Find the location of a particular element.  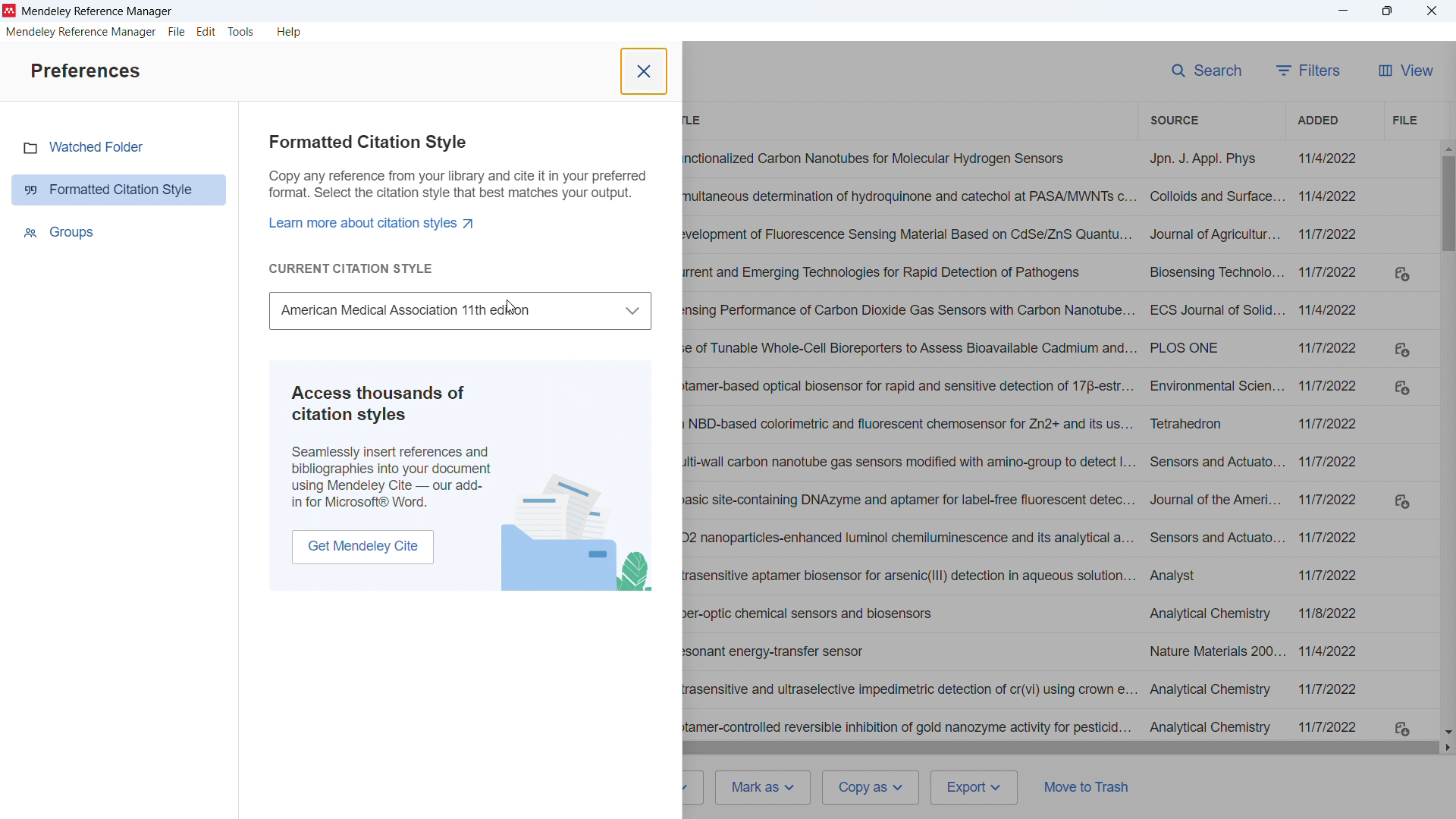

tools is located at coordinates (241, 31).